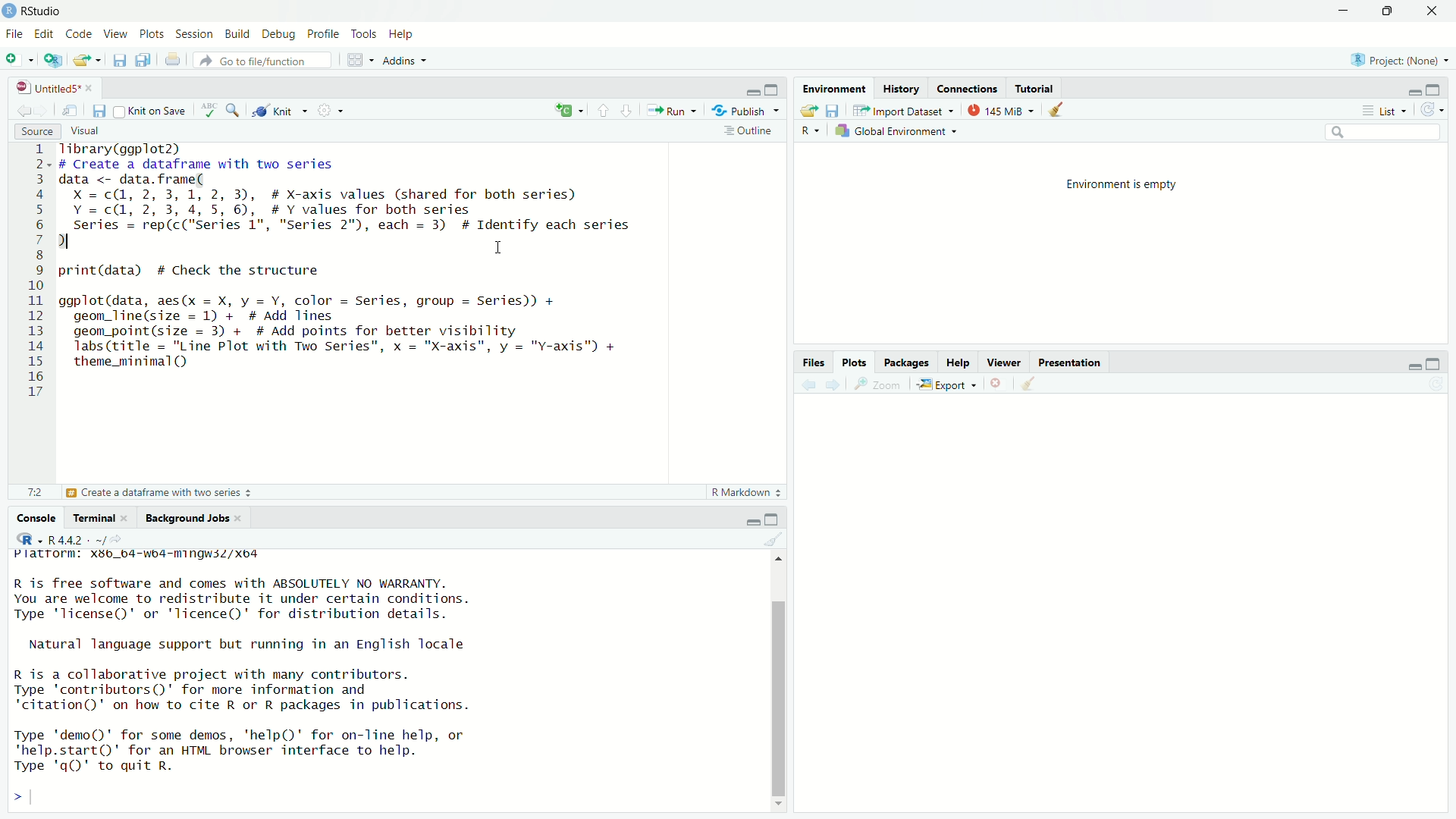 The width and height of the screenshot is (1456, 819). What do you see at coordinates (90, 131) in the screenshot?
I see `Visual` at bounding box center [90, 131].